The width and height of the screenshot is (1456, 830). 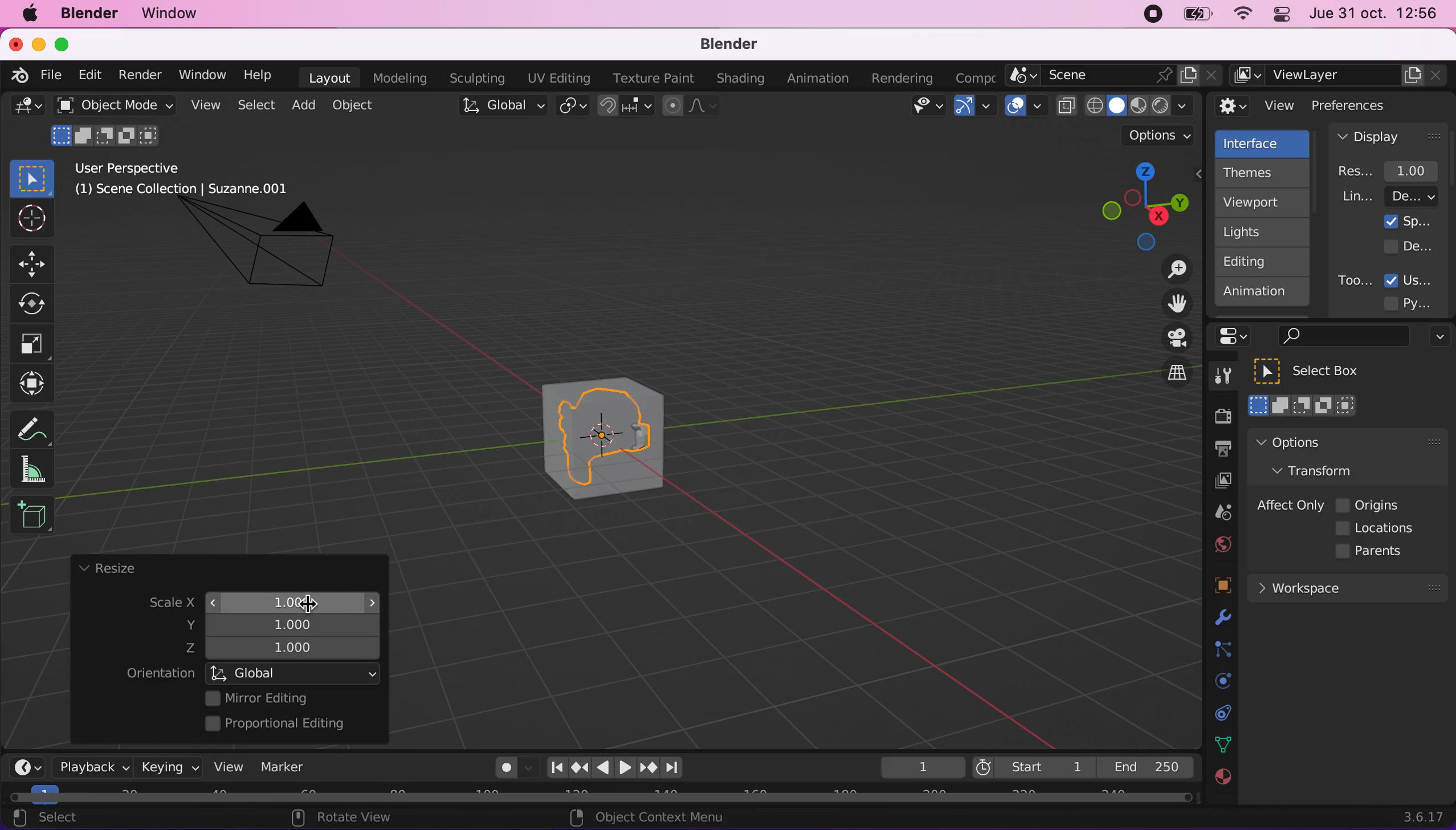 What do you see at coordinates (139, 76) in the screenshot?
I see `render` at bounding box center [139, 76].